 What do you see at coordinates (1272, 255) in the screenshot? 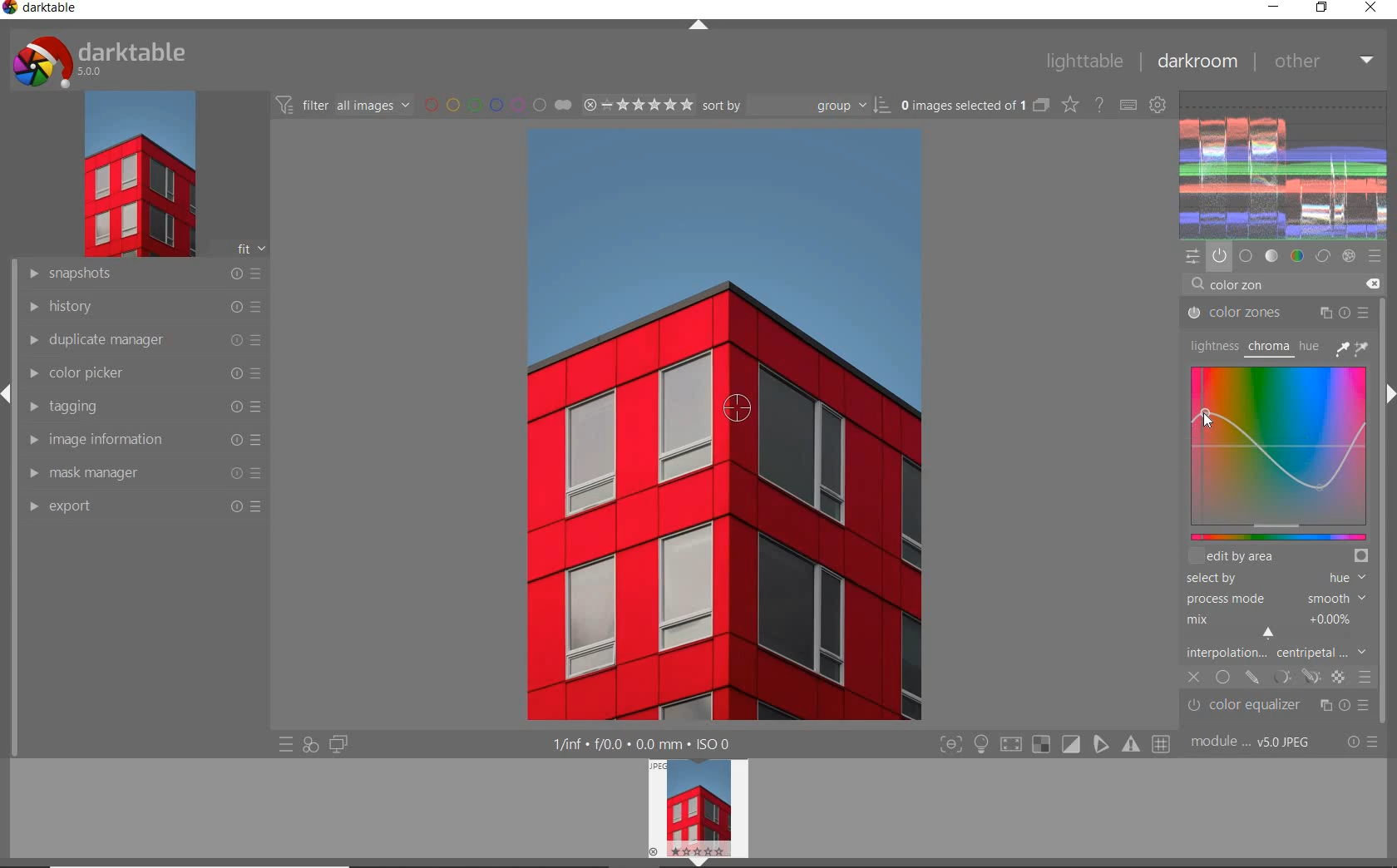
I see `tone` at bounding box center [1272, 255].